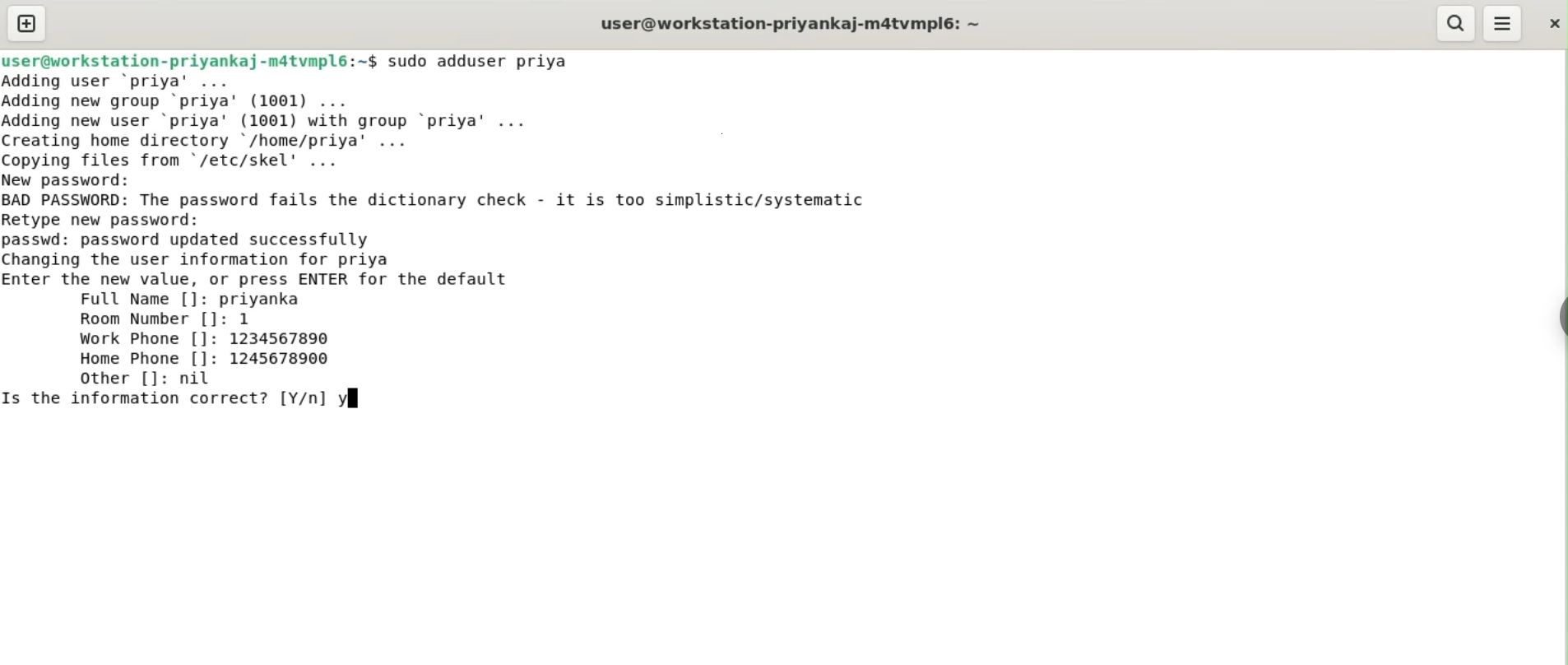 The height and width of the screenshot is (665, 1568). What do you see at coordinates (26, 23) in the screenshot?
I see `new tab` at bounding box center [26, 23].